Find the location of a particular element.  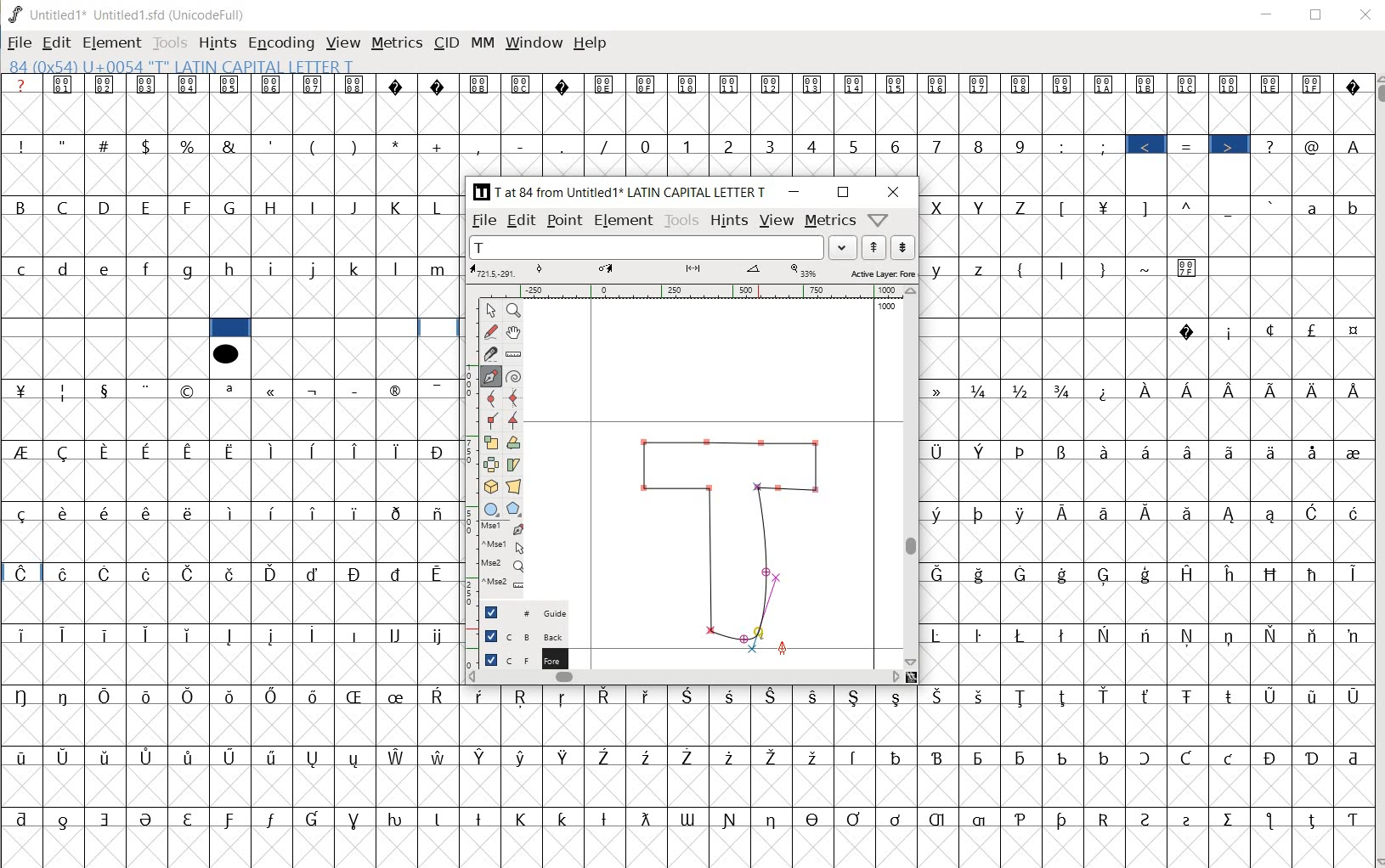

Symbol is located at coordinates (1108, 513).